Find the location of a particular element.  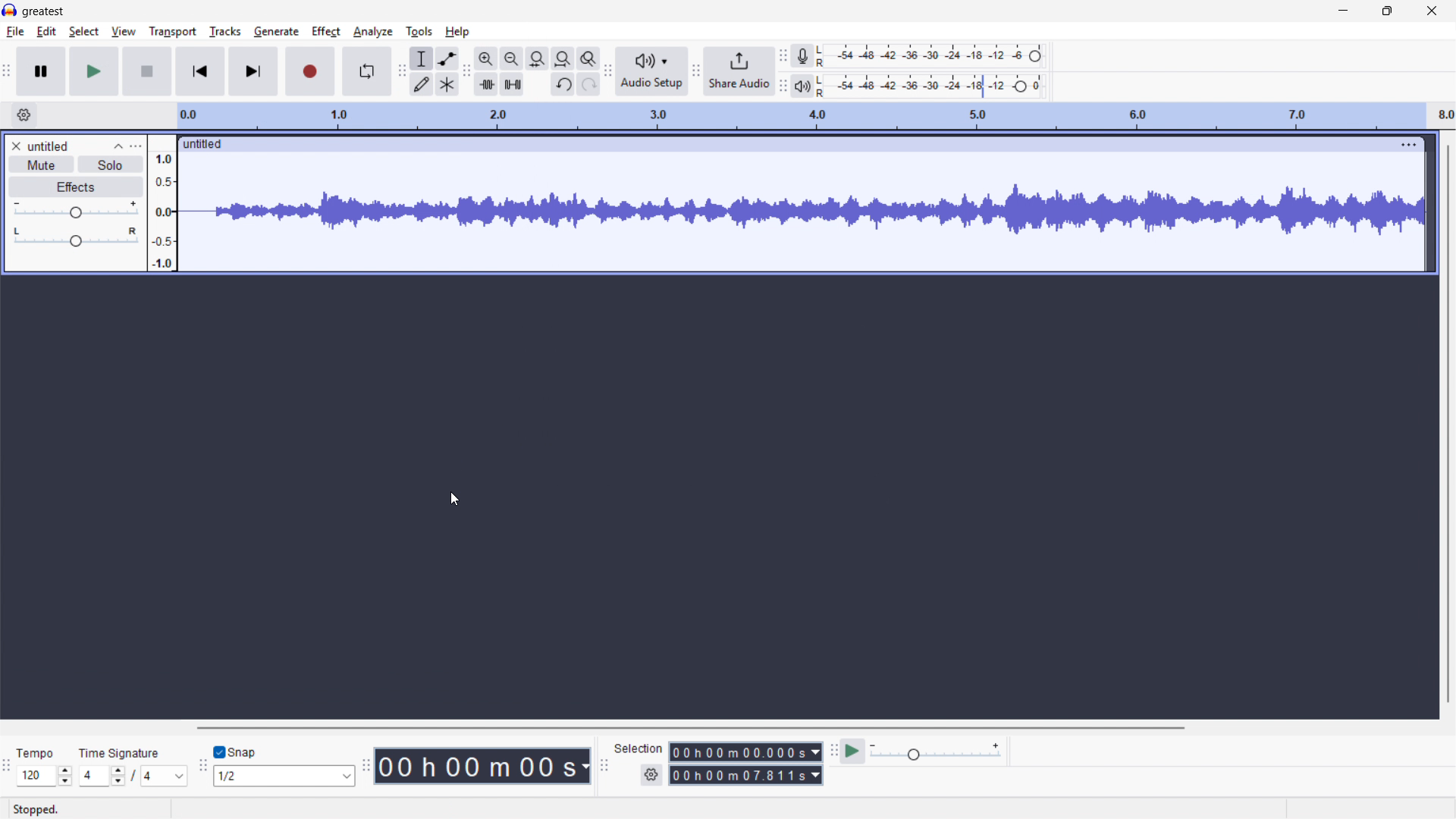

timestamp is located at coordinates (484, 766).